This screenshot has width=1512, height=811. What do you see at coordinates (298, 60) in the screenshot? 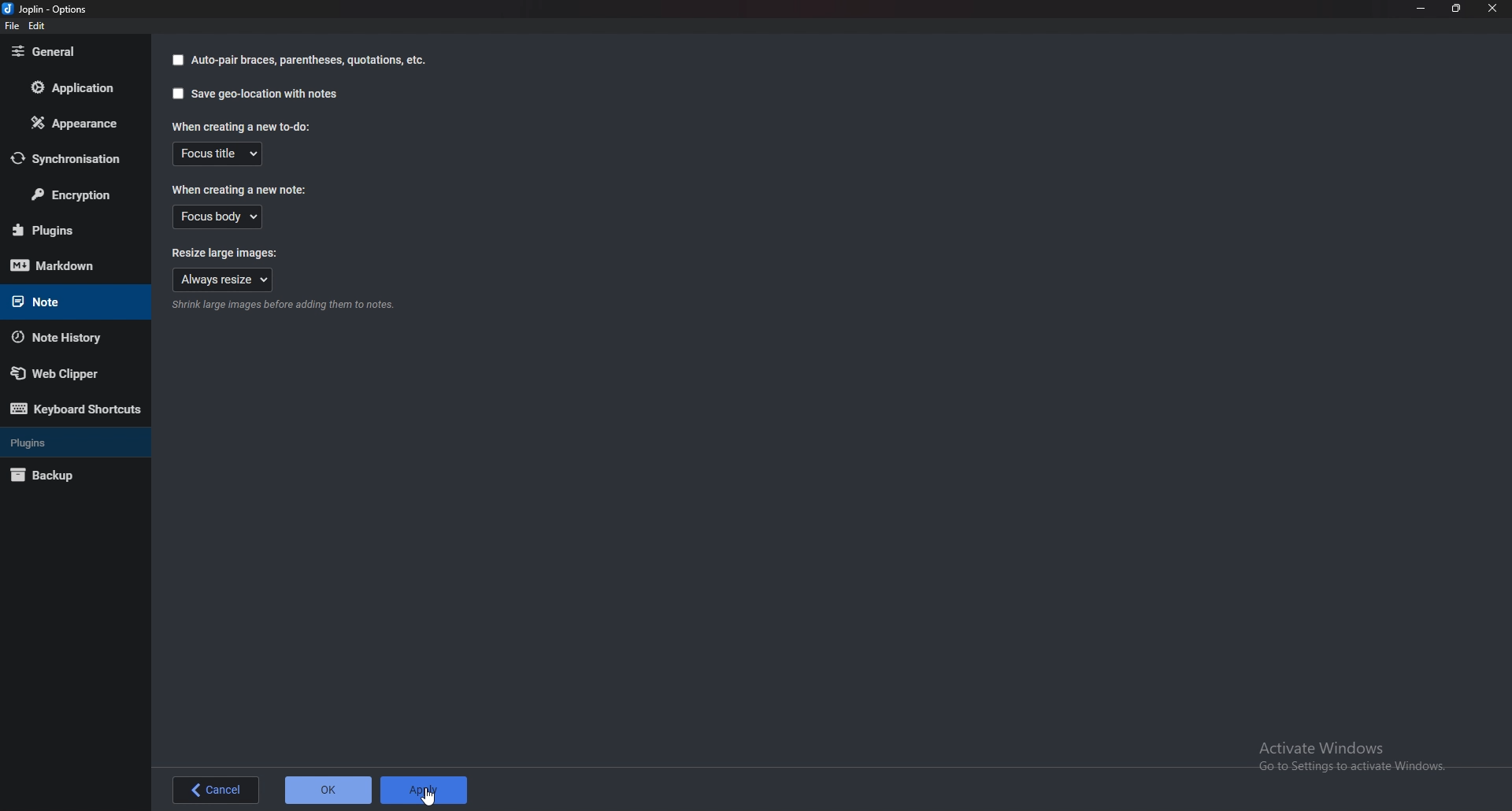
I see `autopair braces parenthesis quotation et cetera` at bounding box center [298, 60].